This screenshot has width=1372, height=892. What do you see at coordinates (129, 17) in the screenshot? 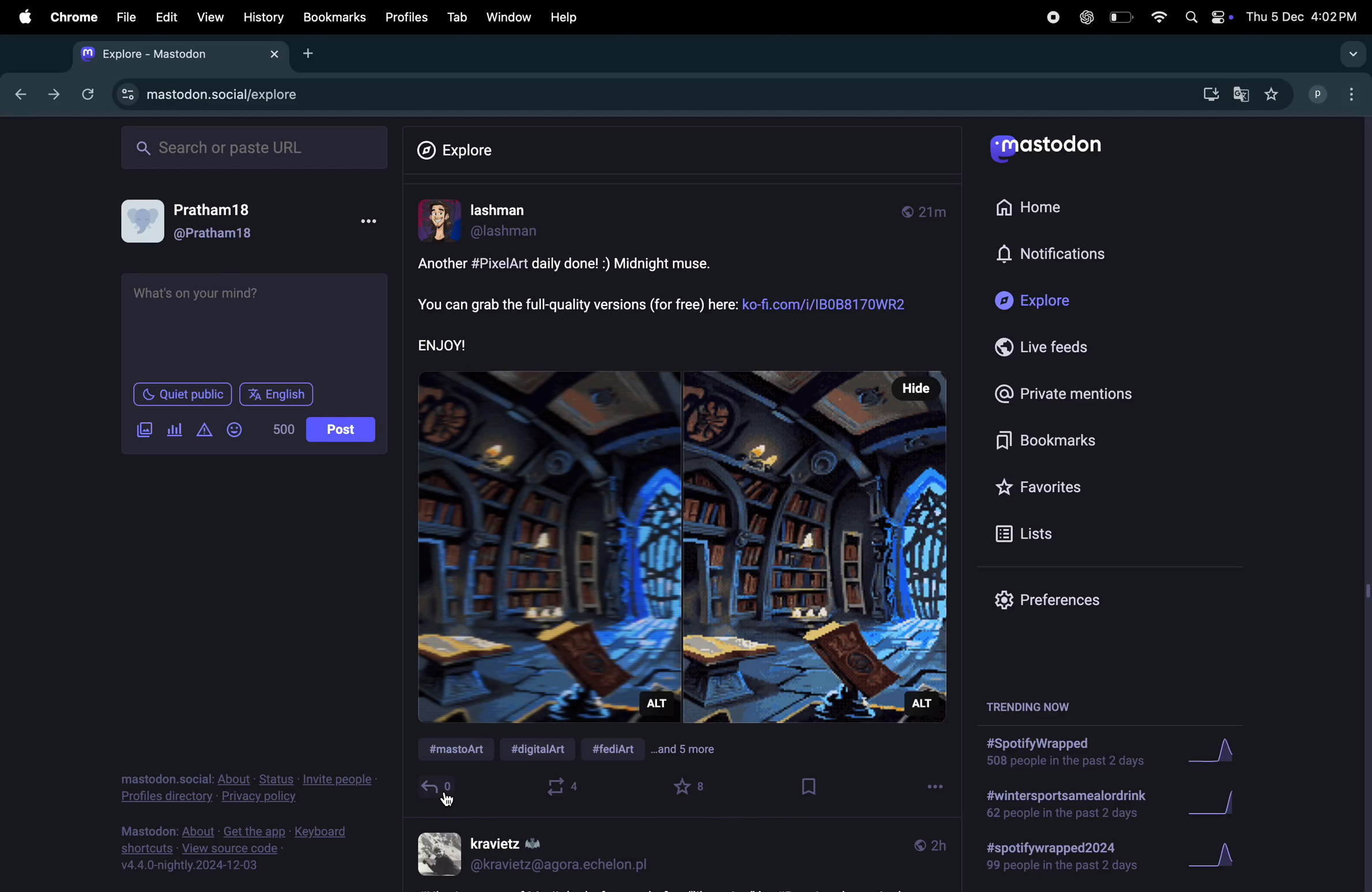
I see `file` at bounding box center [129, 17].